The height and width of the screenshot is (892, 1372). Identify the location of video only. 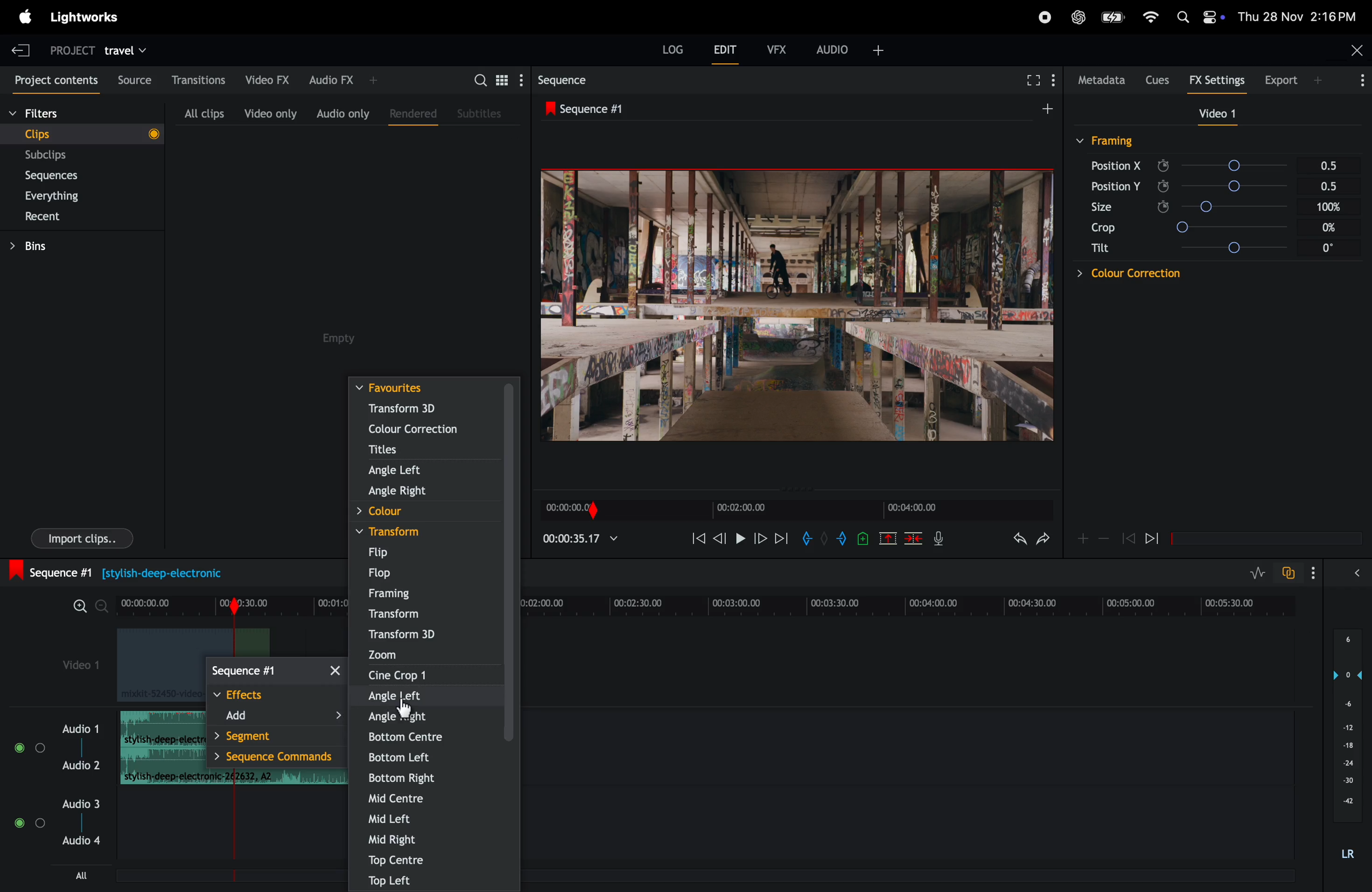
(268, 113).